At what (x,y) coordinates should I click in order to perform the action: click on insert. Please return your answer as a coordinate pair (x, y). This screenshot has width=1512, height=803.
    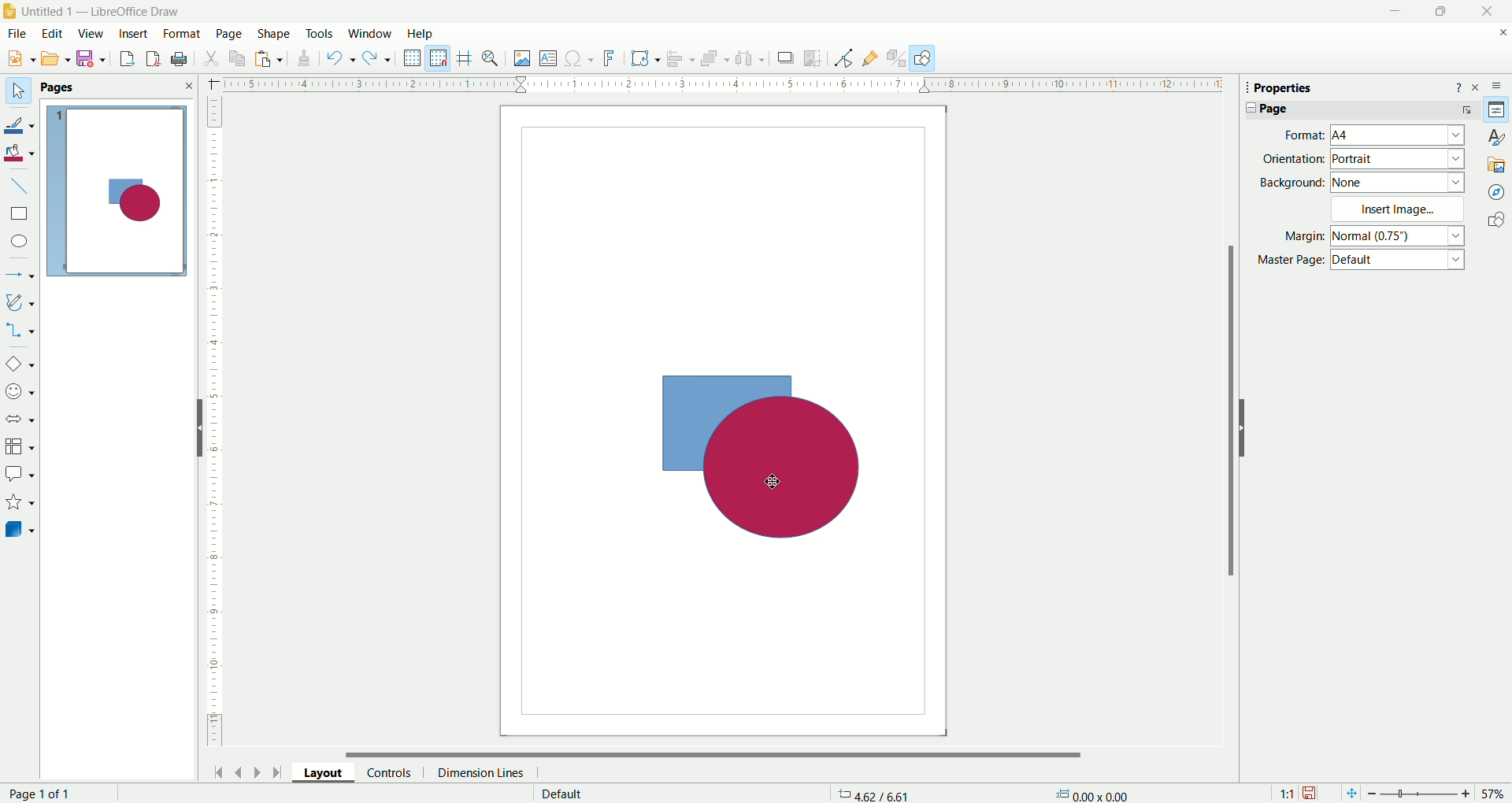
    Looking at the image, I should click on (134, 33).